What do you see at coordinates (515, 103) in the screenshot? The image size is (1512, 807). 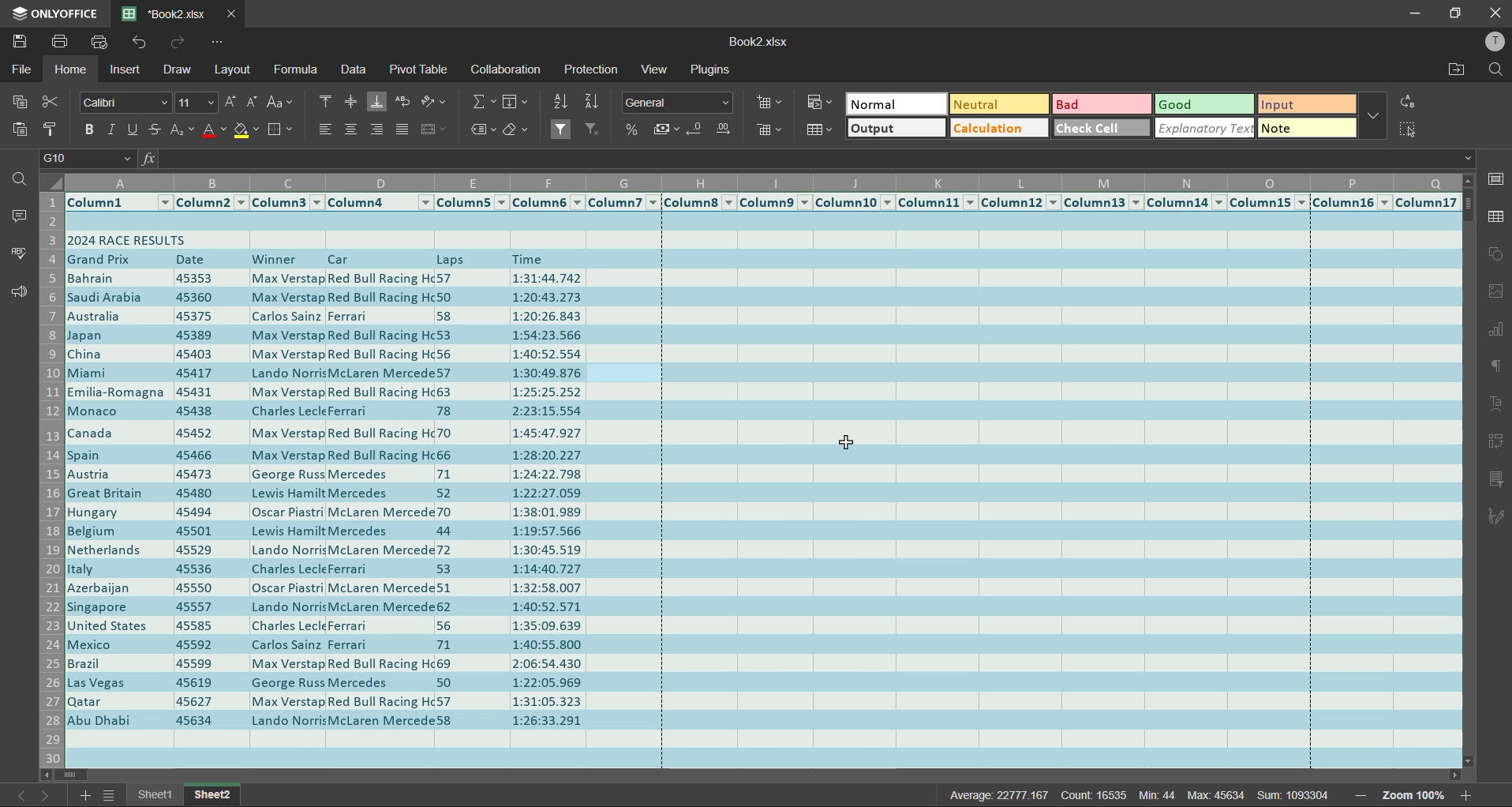 I see `fields` at bounding box center [515, 103].